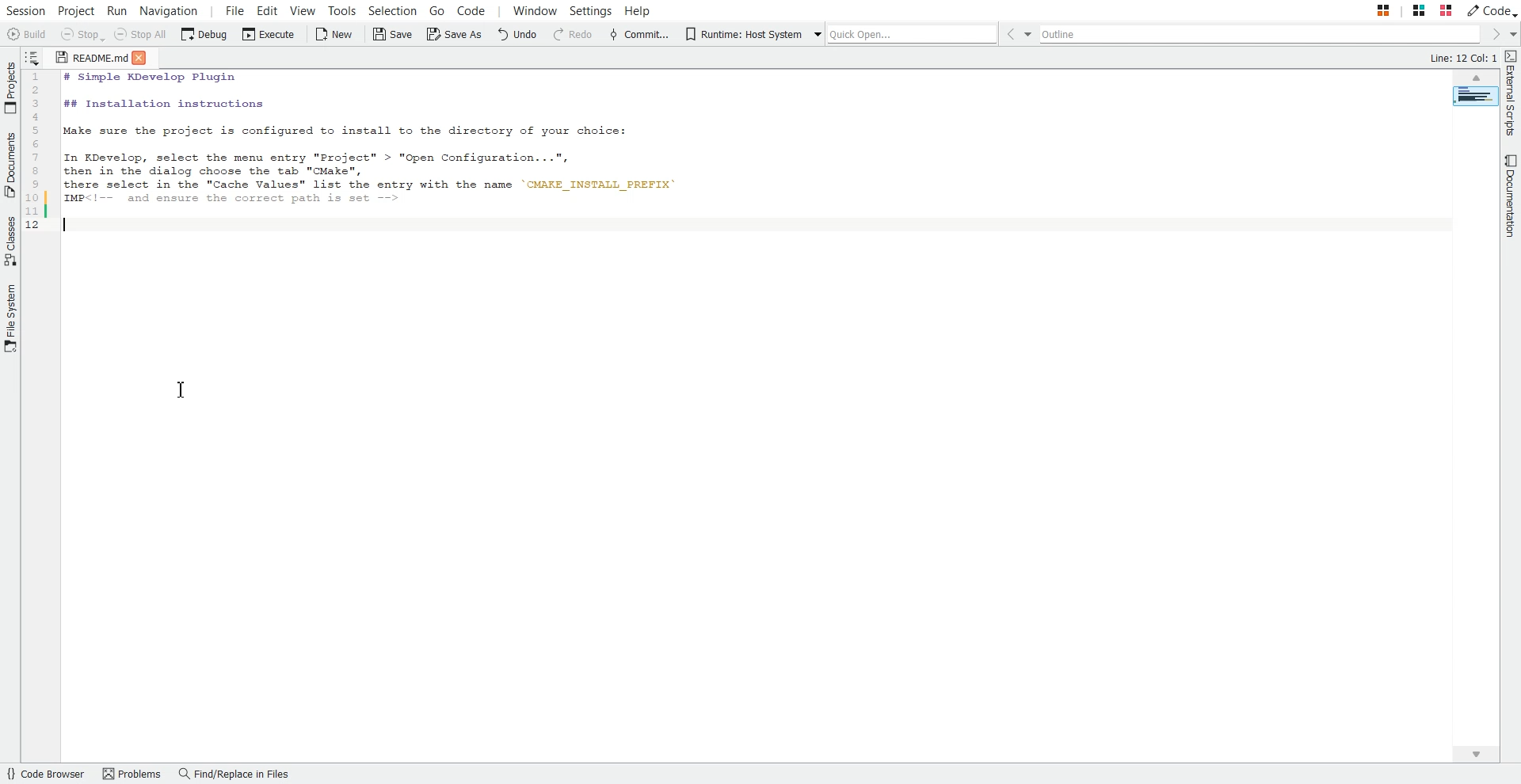 This screenshot has width=1521, height=784. What do you see at coordinates (147, 78) in the screenshot?
I see `# Simple KDevelop Plugin` at bounding box center [147, 78].